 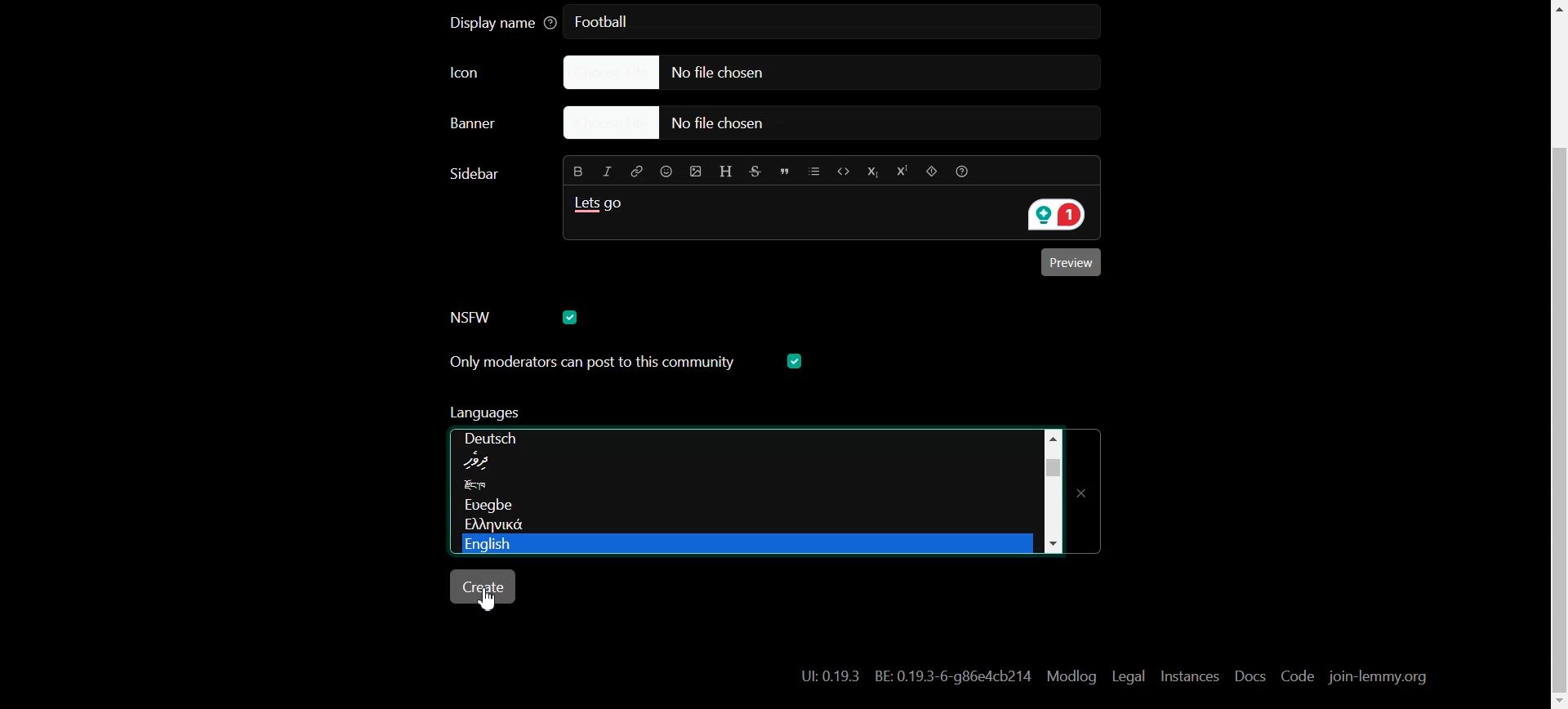 What do you see at coordinates (693, 170) in the screenshot?
I see `Insert Picture` at bounding box center [693, 170].